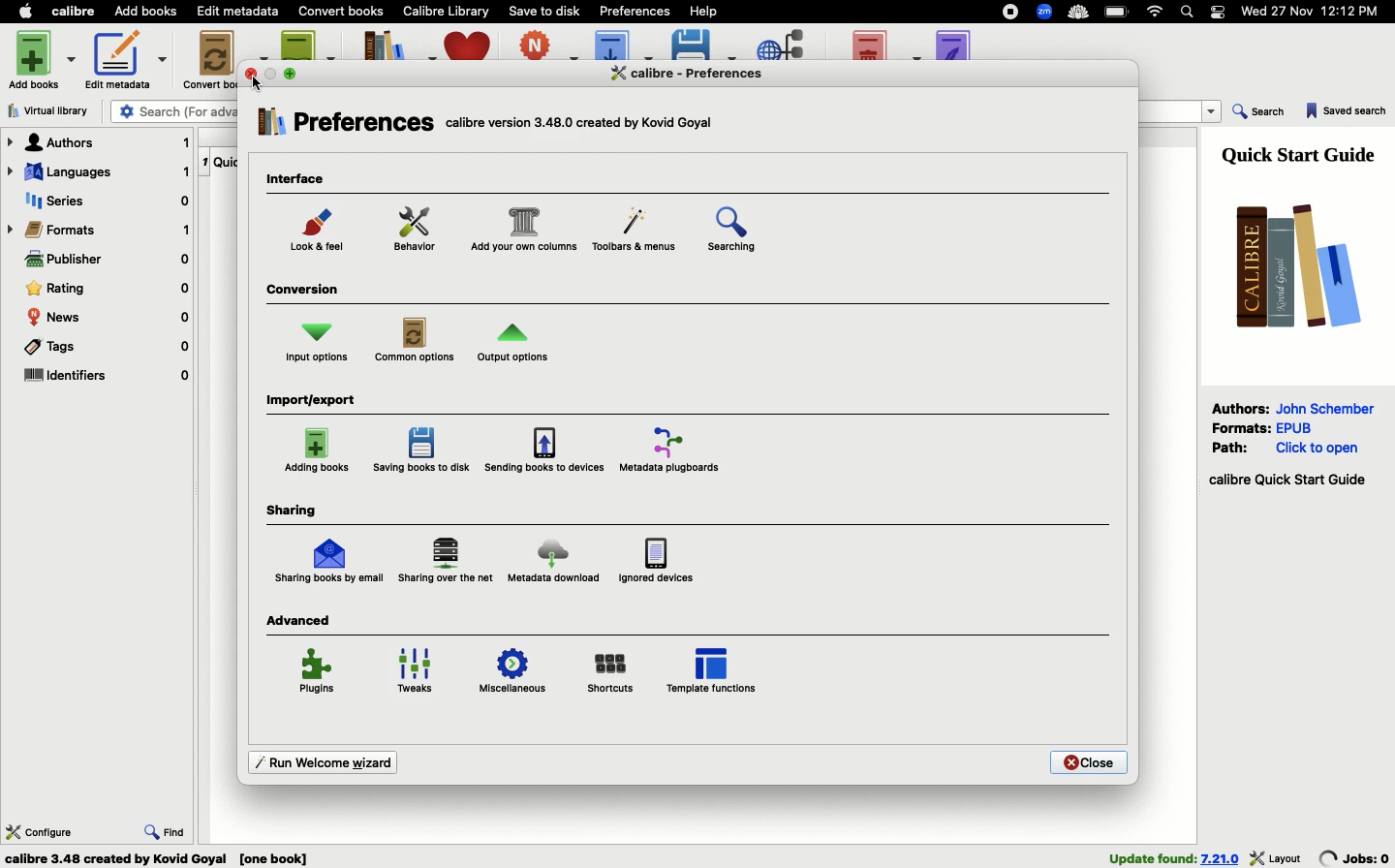 This screenshot has width=1395, height=868. I want to click on jobs, so click(1355, 857).